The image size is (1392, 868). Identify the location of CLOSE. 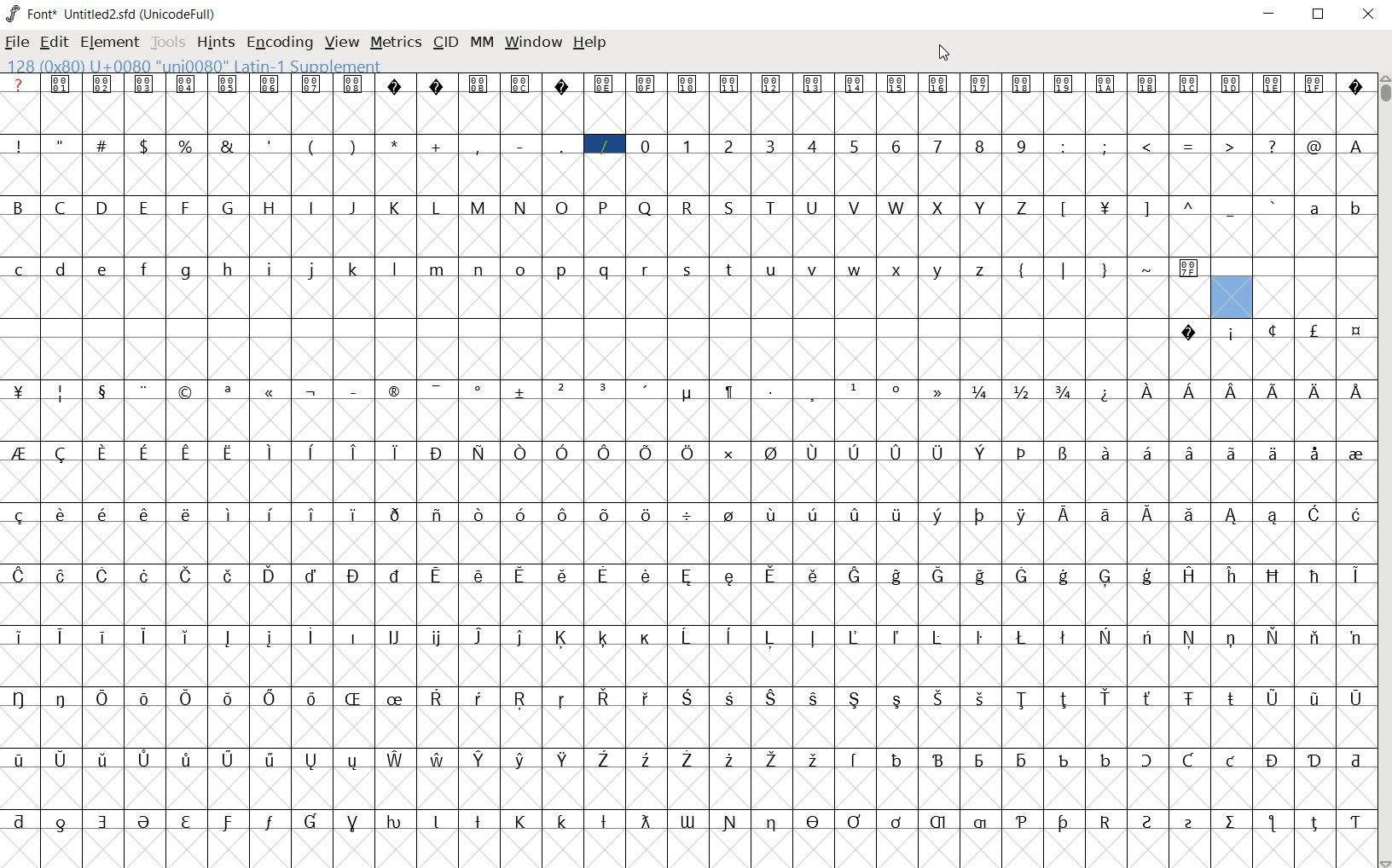
(1368, 15).